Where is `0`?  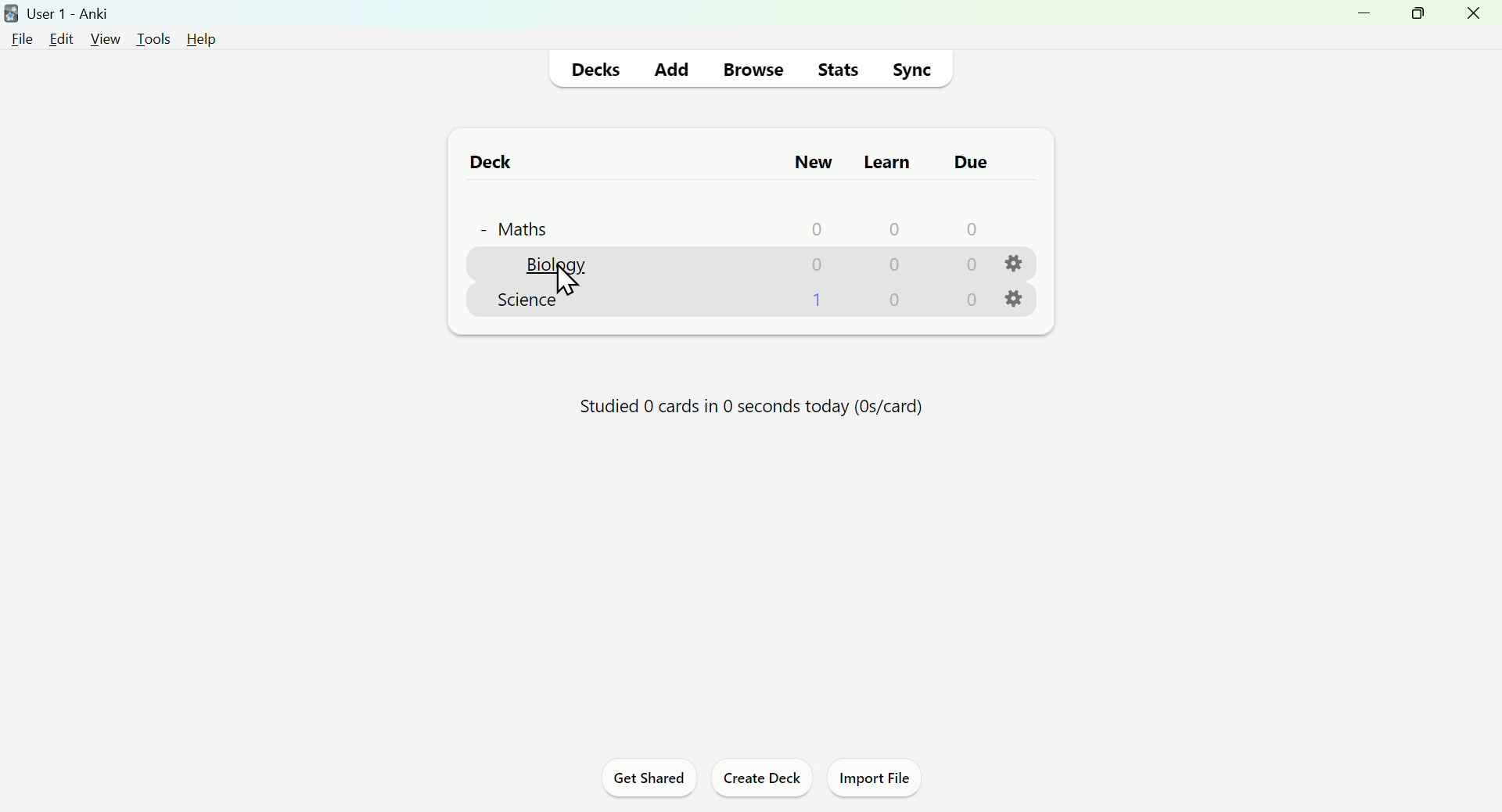 0 is located at coordinates (972, 303).